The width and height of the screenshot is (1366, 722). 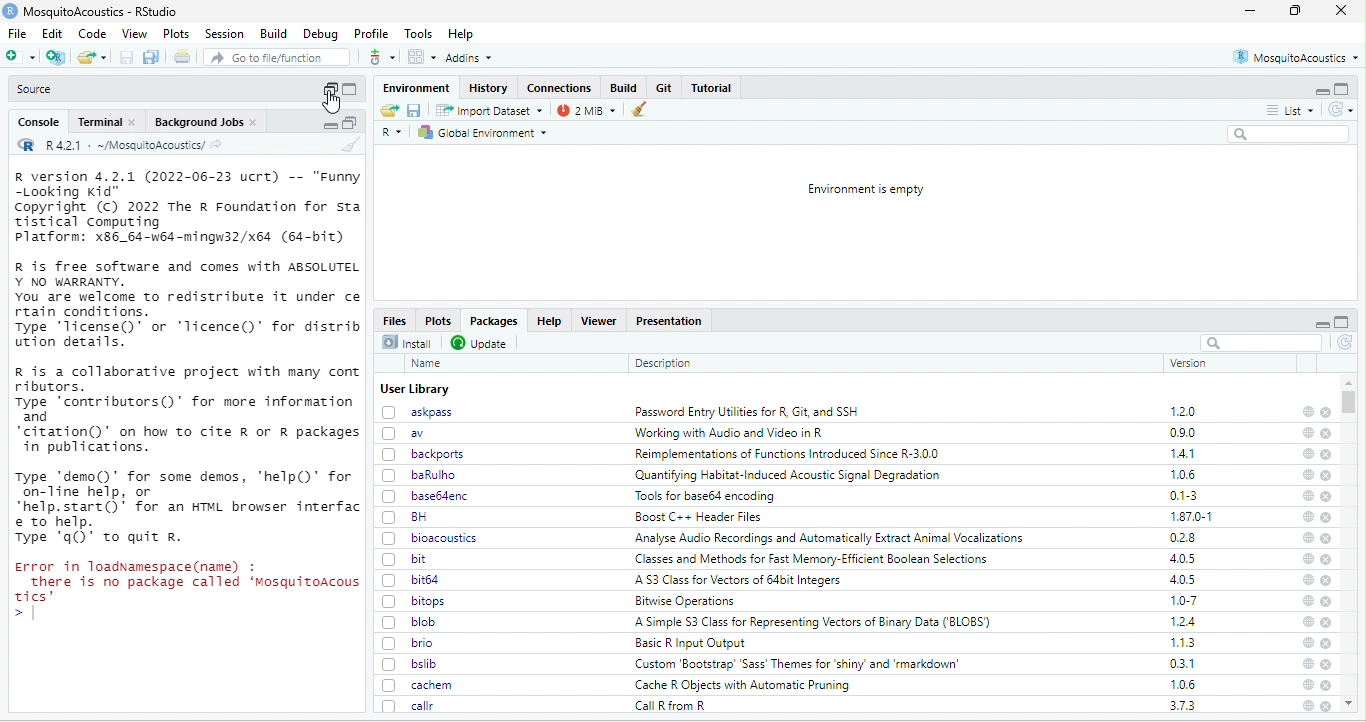 What do you see at coordinates (1182, 663) in the screenshot?
I see `0.3.1` at bounding box center [1182, 663].